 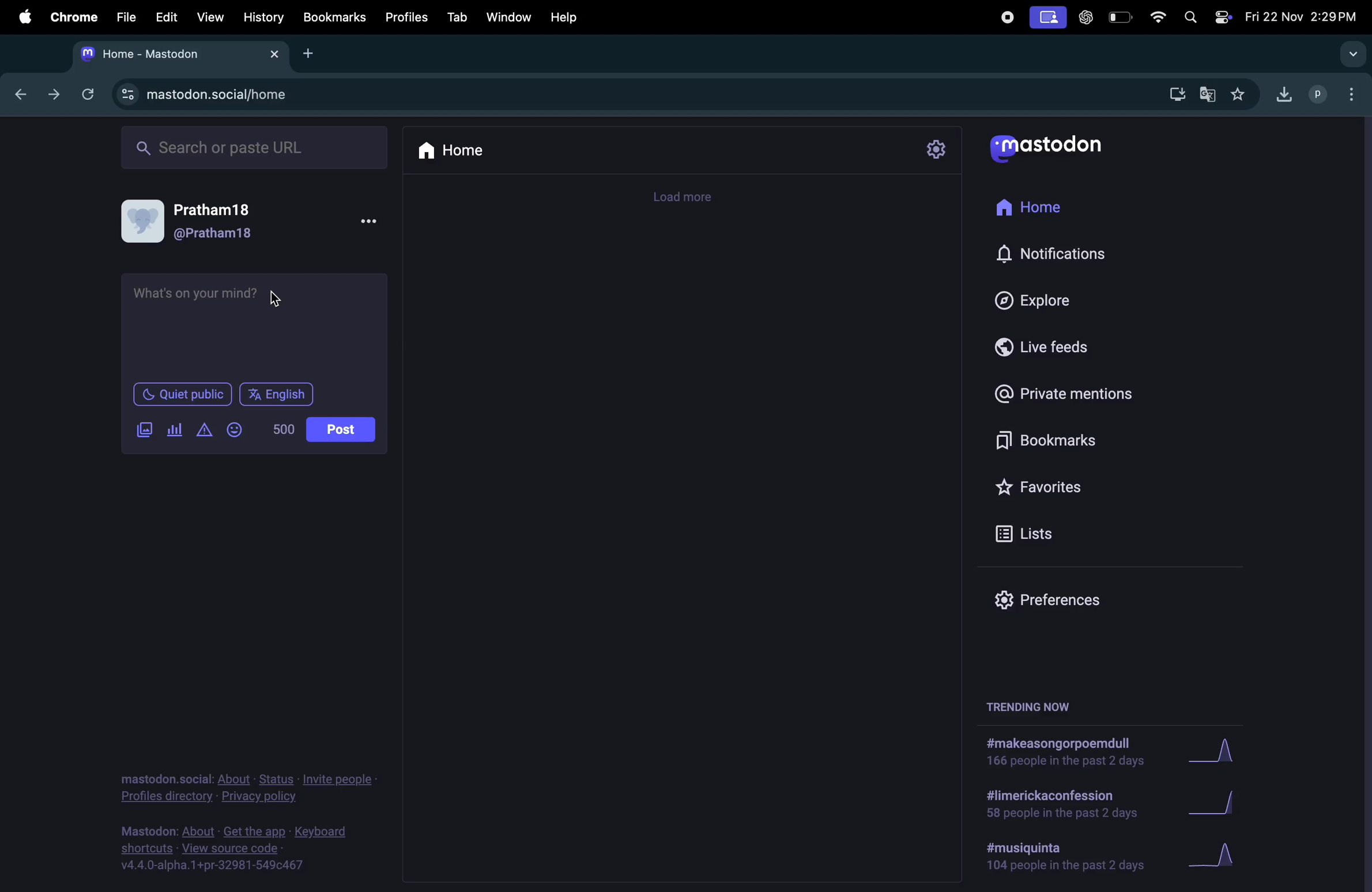 What do you see at coordinates (24, 17) in the screenshot?
I see `apple menu` at bounding box center [24, 17].